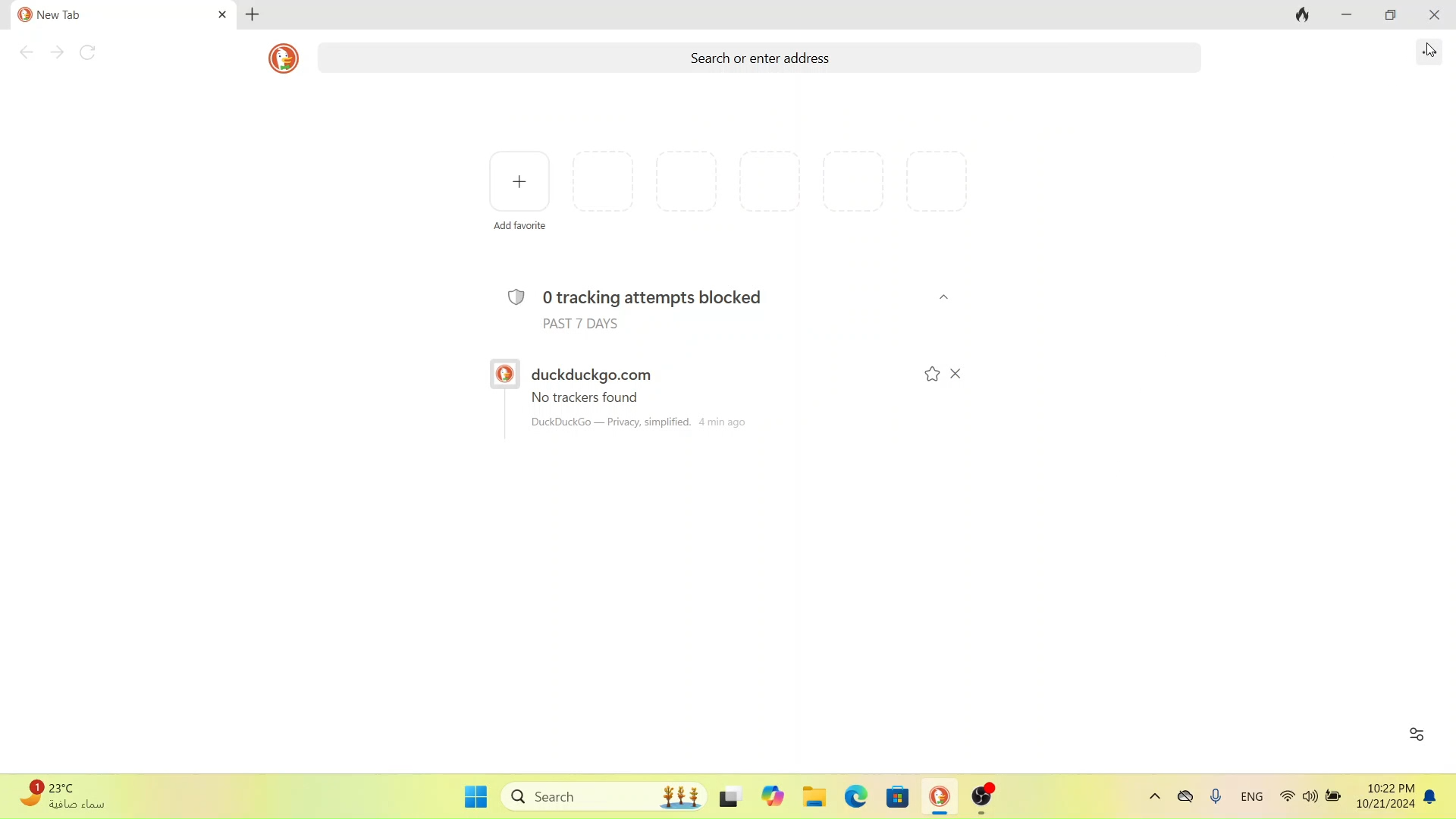 This screenshot has width=1456, height=819. Describe the element at coordinates (1432, 800) in the screenshot. I see `notifications` at that location.